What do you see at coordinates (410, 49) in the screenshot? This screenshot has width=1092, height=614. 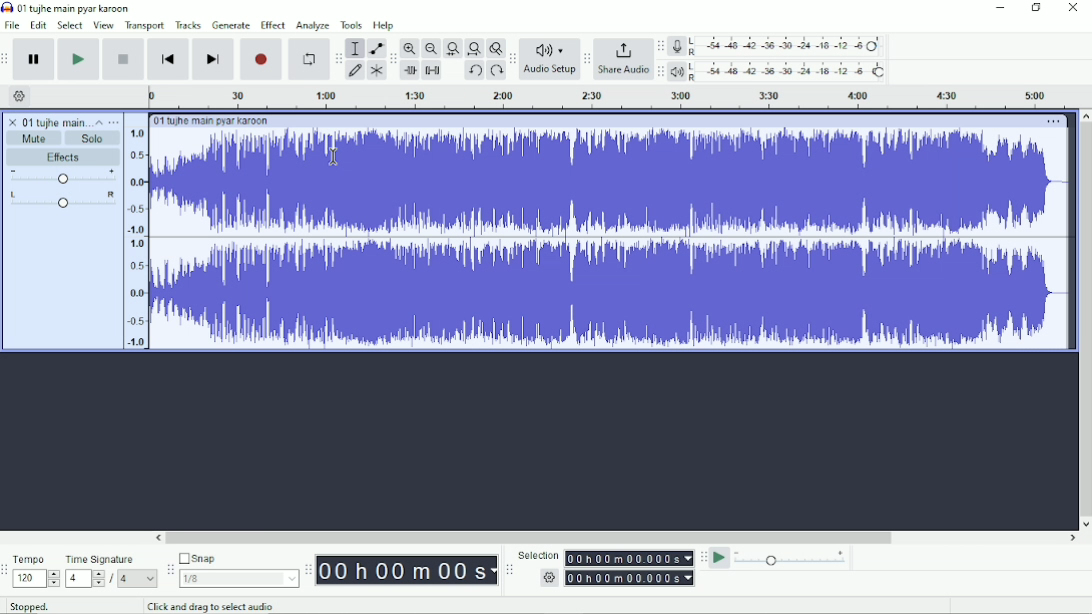 I see `Zoom In` at bounding box center [410, 49].